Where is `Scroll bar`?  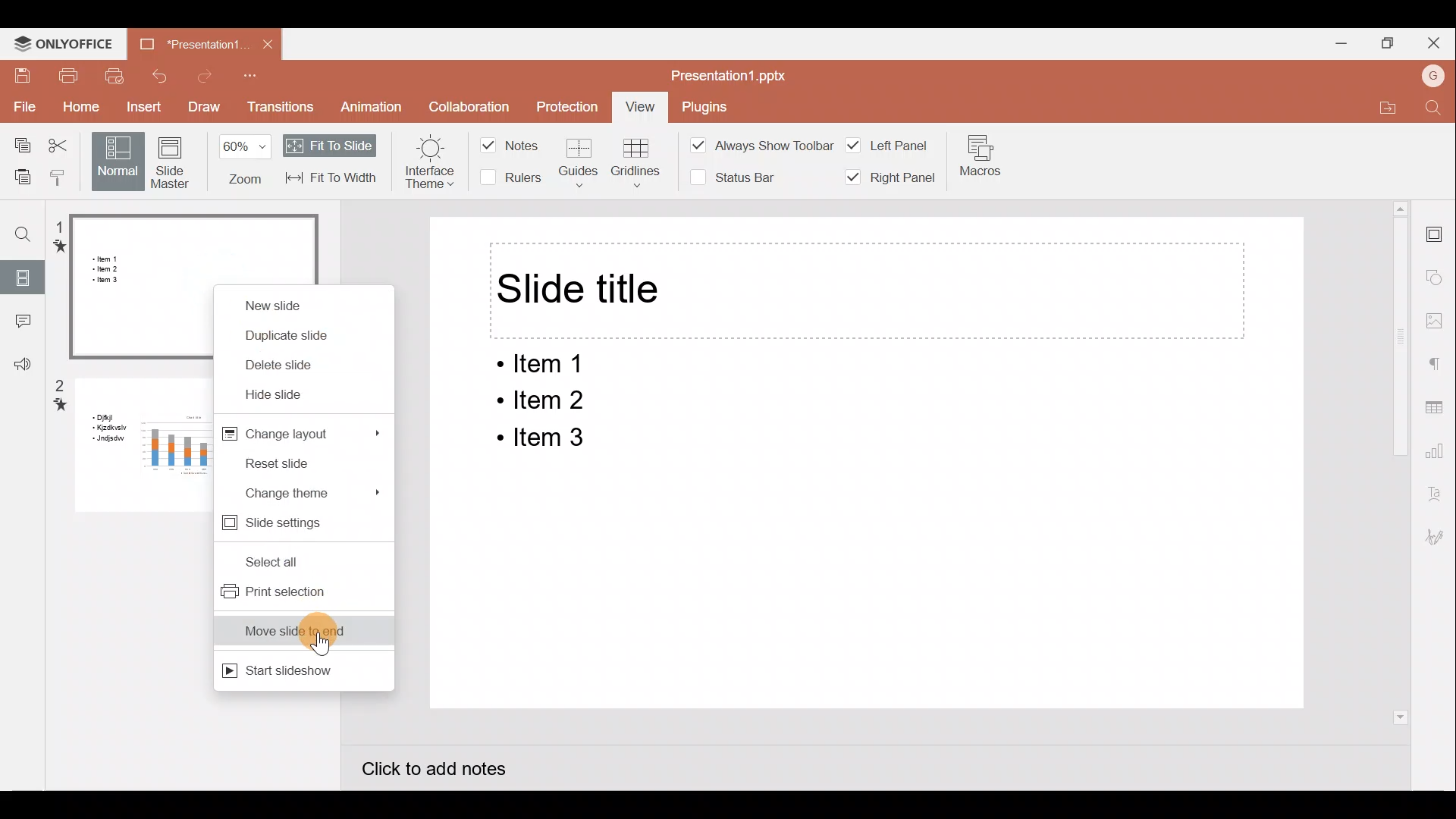
Scroll bar is located at coordinates (1392, 495).